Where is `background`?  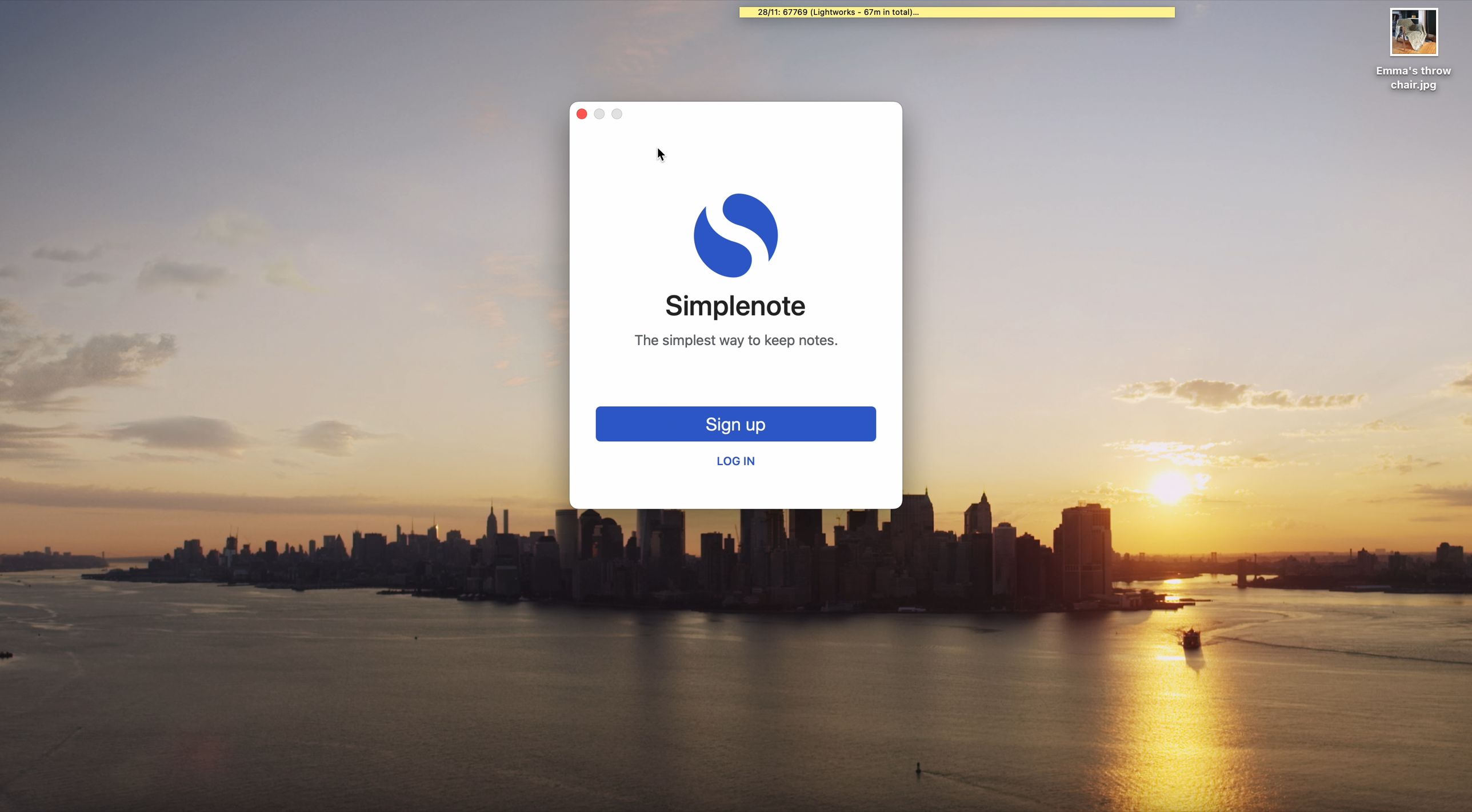 background is located at coordinates (1189, 305).